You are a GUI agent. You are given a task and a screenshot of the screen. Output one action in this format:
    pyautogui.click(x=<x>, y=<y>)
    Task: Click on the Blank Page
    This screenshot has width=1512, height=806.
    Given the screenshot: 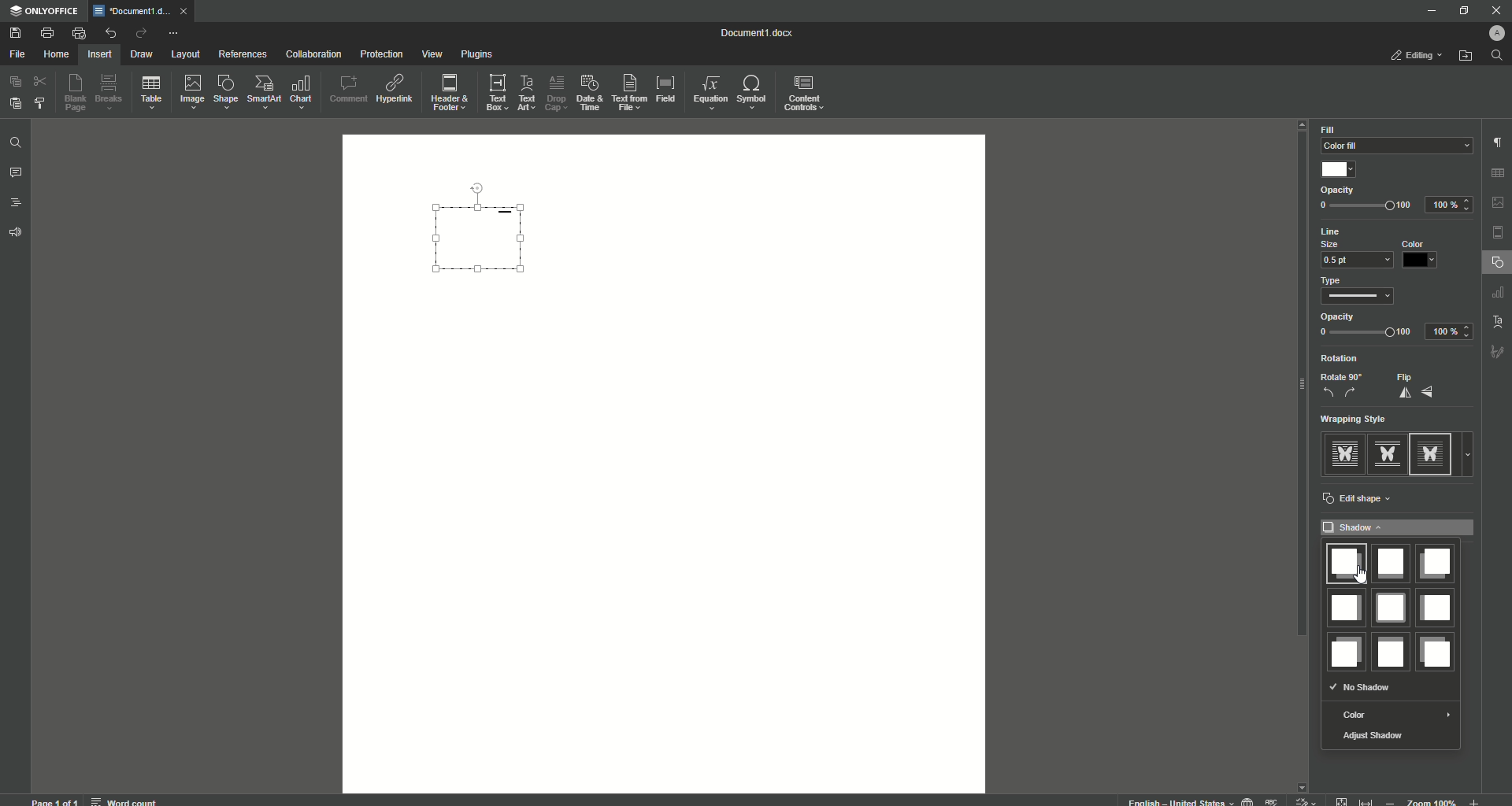 What is the action you would take?
    pyautogui.click(x=76, y=92)
    